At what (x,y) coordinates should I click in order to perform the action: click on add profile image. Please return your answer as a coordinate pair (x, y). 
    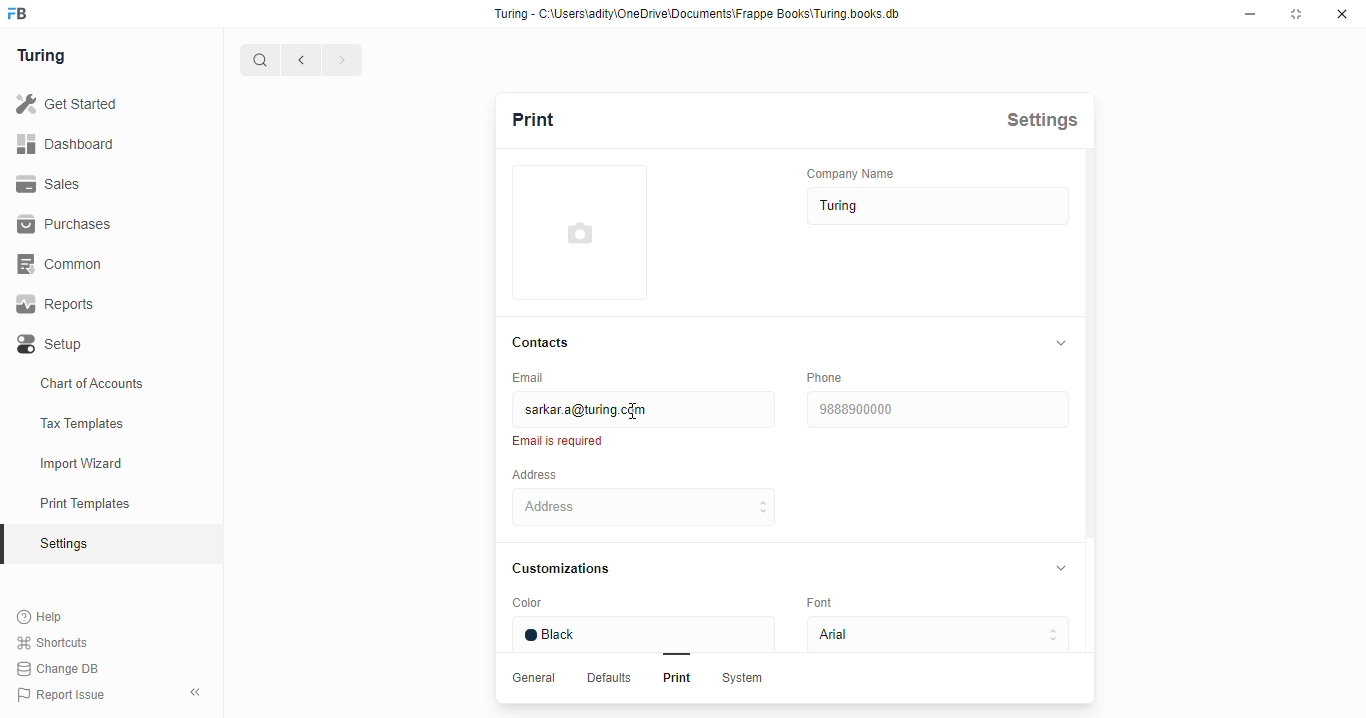
    Looking at the image, I should click on (580, 243).